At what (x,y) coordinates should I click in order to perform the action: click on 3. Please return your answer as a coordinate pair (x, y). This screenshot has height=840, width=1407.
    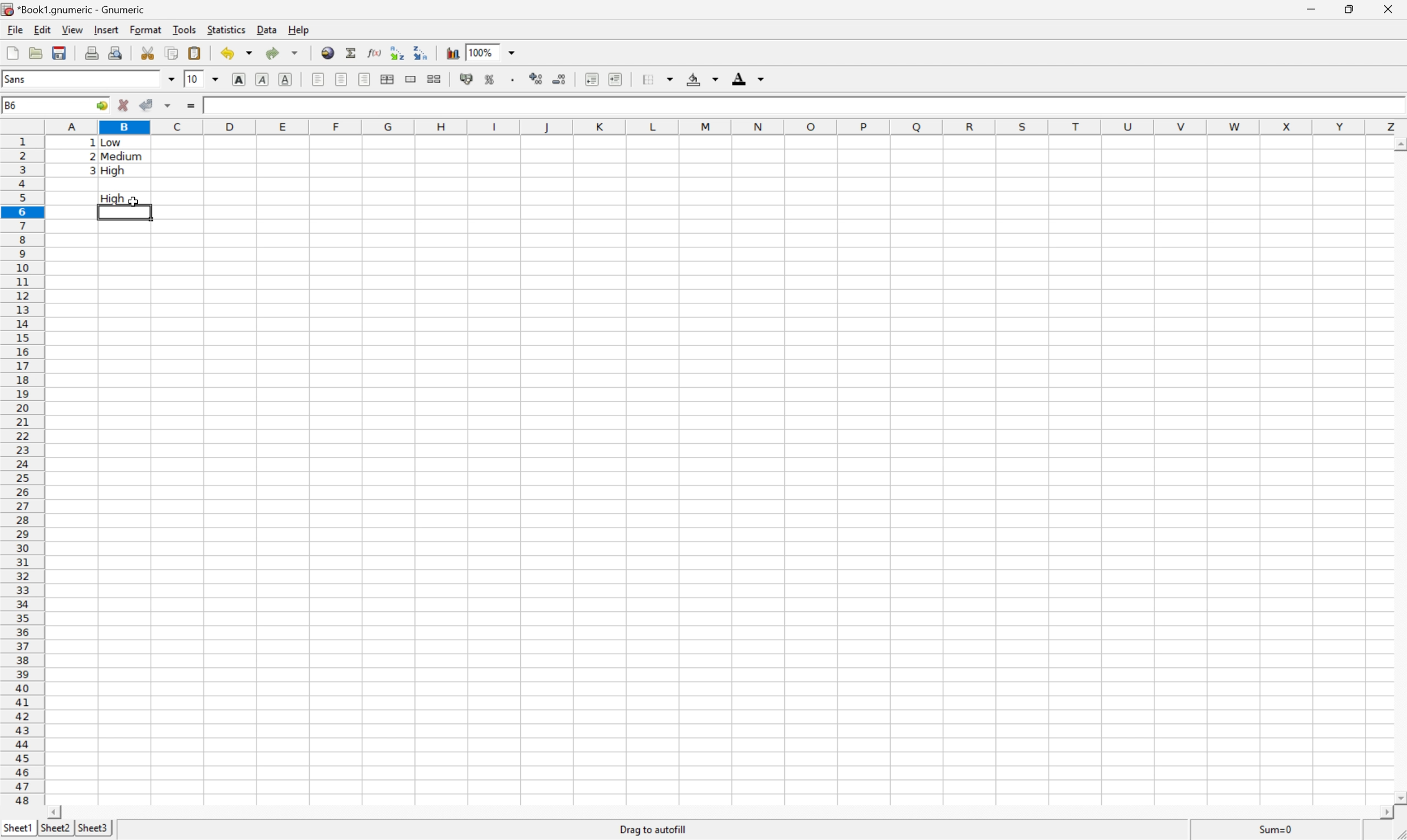
    Looking at the image, I should click on (92, 170).